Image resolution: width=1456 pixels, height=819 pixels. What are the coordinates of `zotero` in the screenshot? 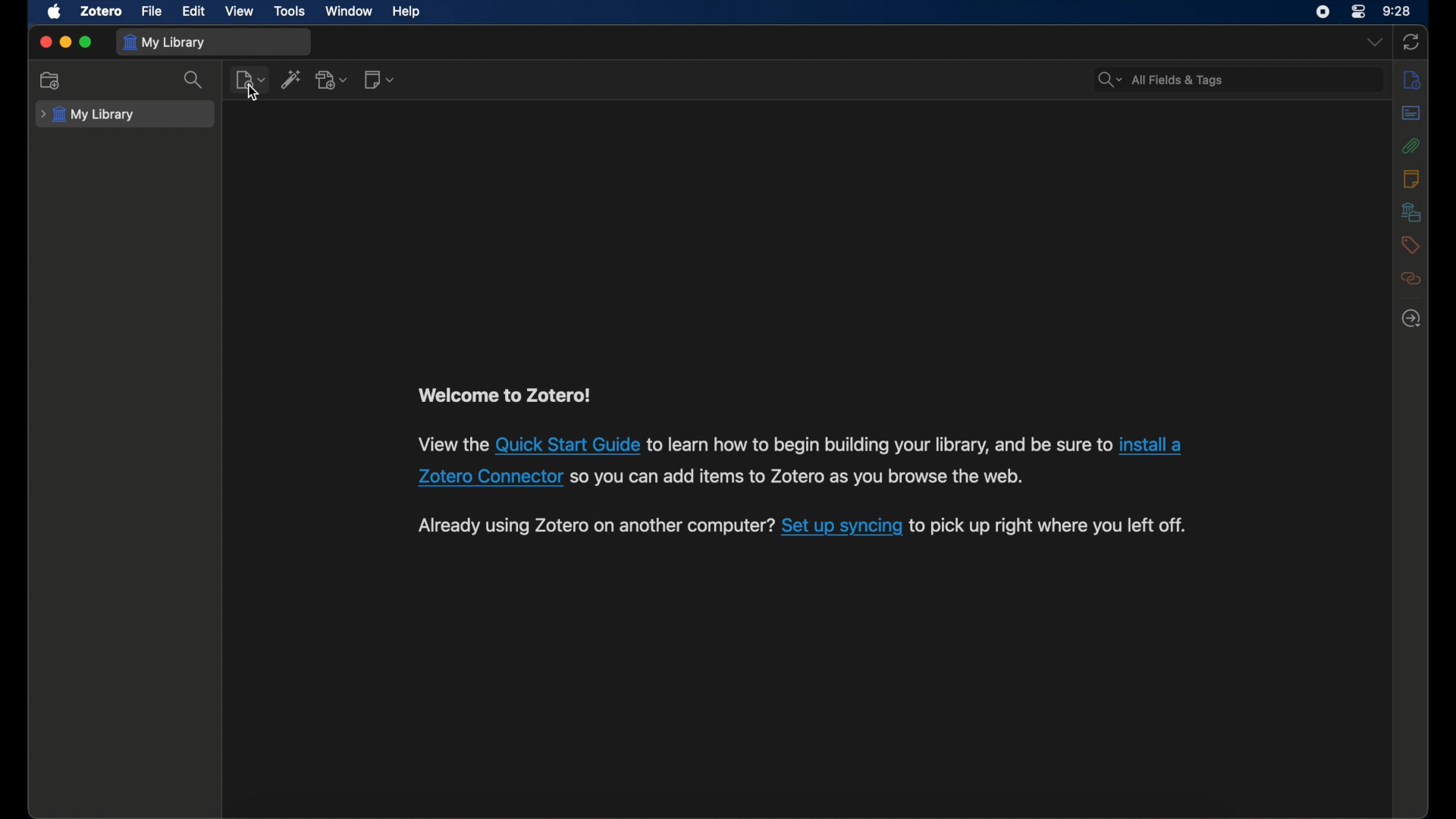 It's located at (99, 12).